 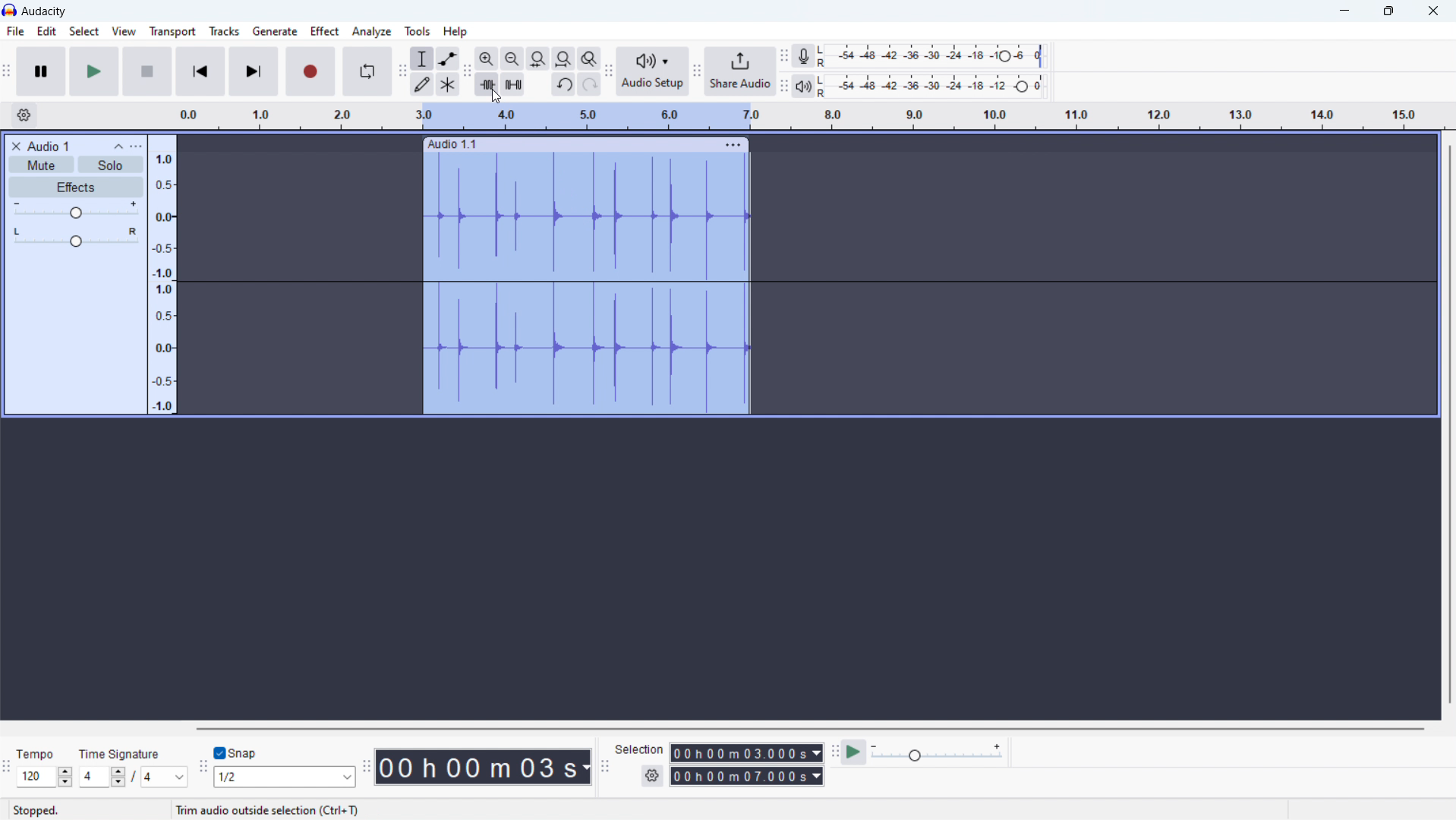 What do you see at coordinates (811, 116) in the screenshot?
I see `timeline` at bounding box center [811, 116].